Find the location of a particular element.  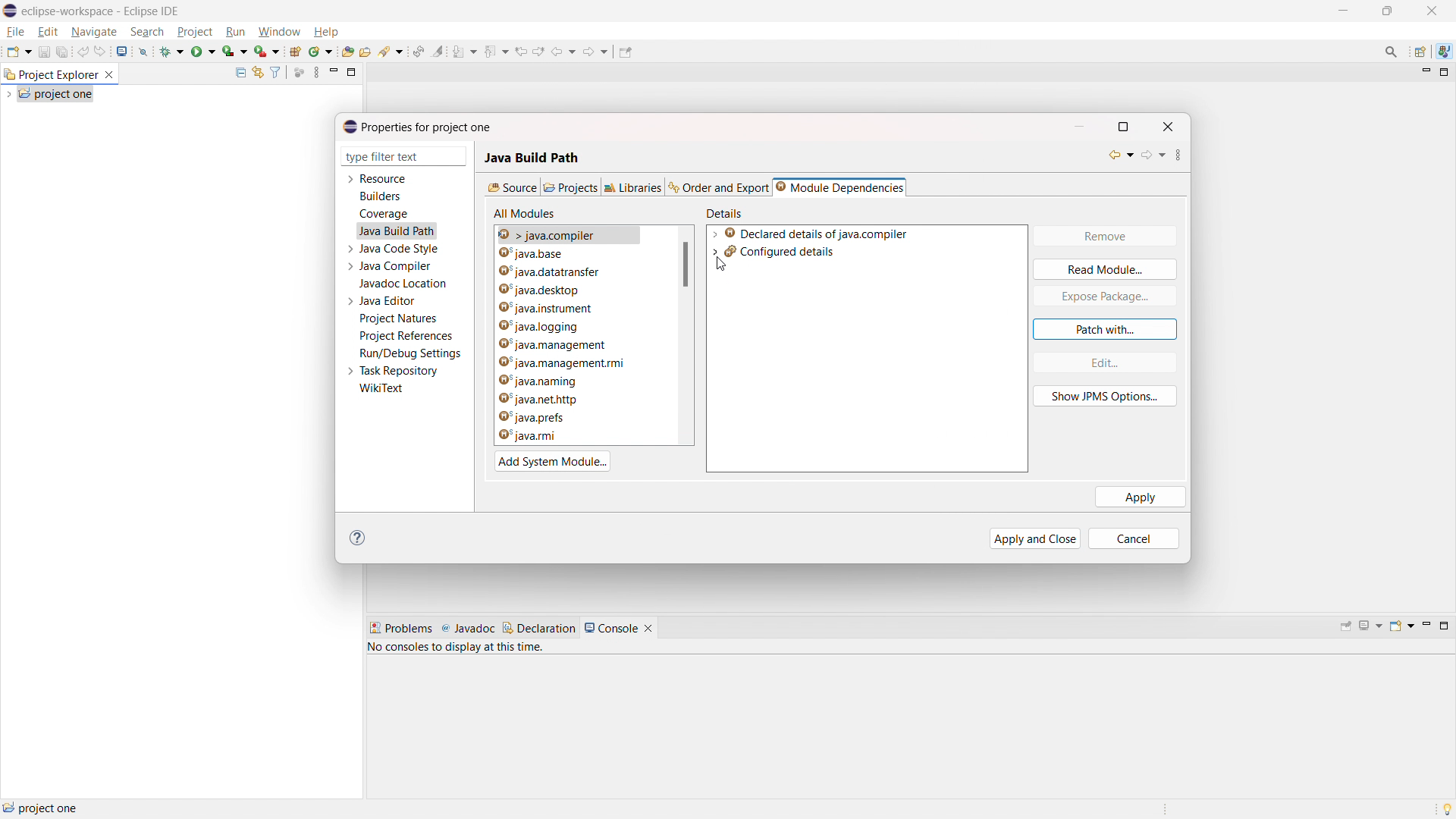

close console is located at coordinates (648, 629).